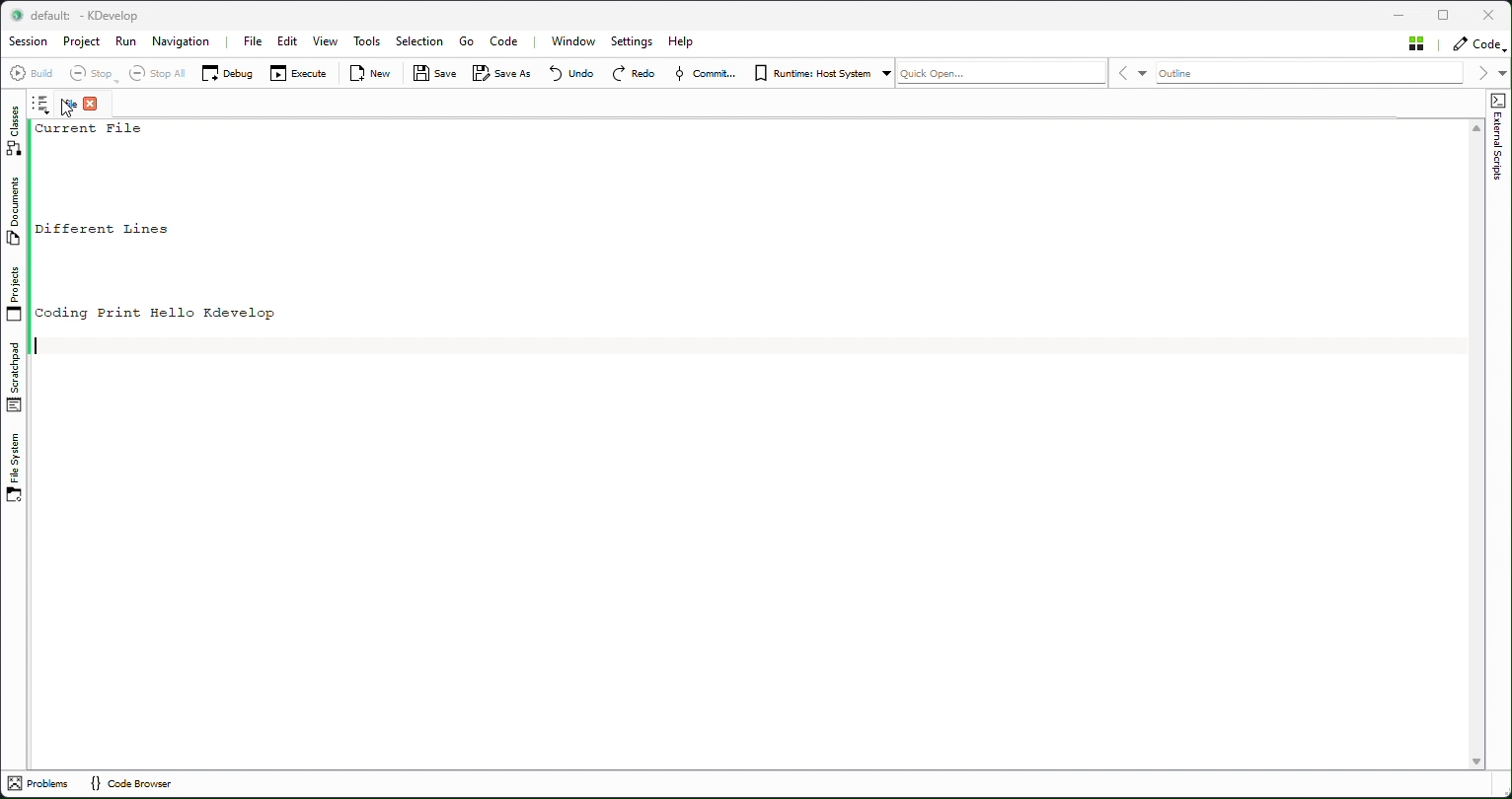 This screenshot has width=1512, height=799. I want to click on File system, so click(14, 470).